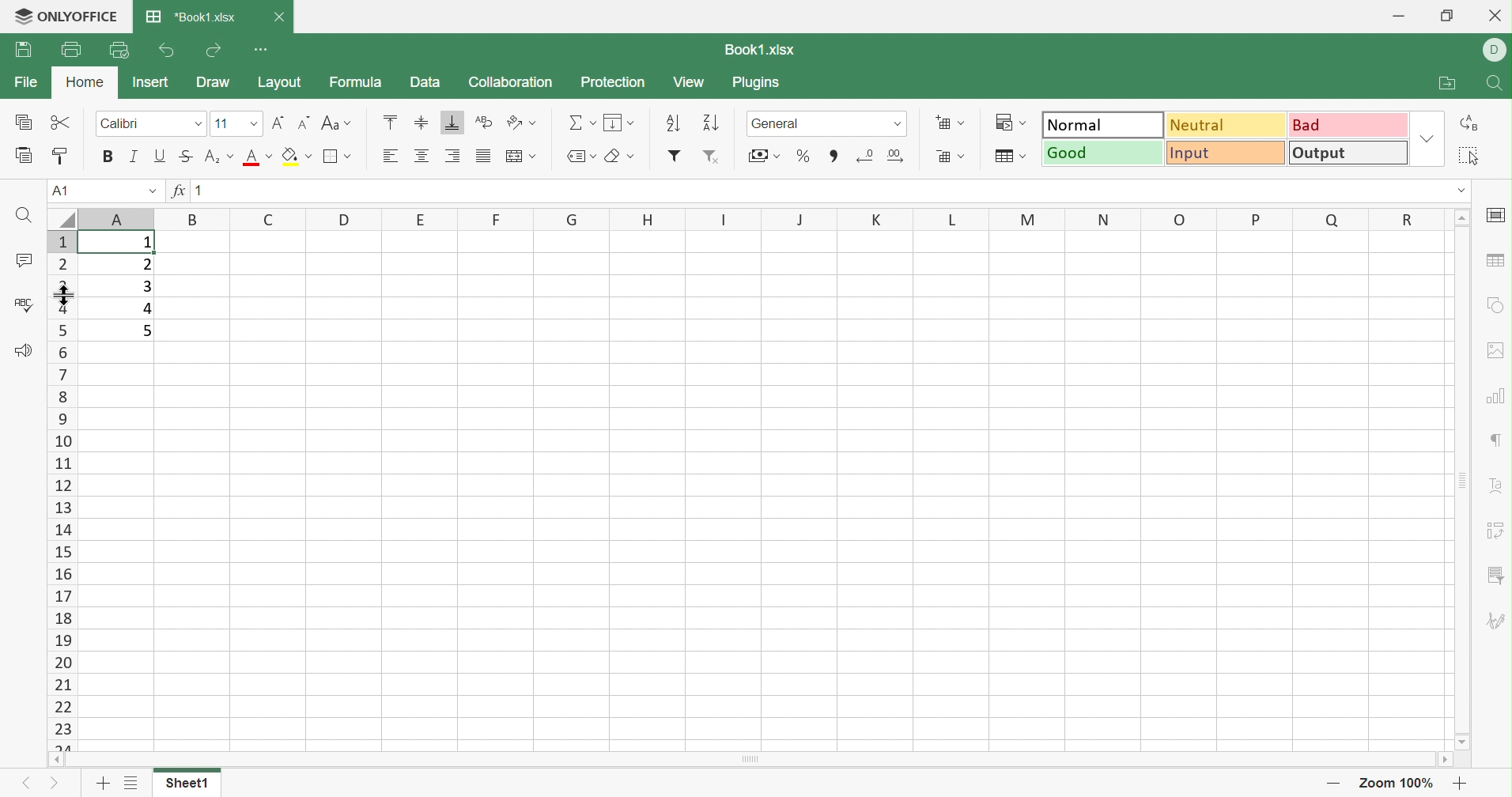 This screenshot has width=1512, height=797. What do you see at coordinates (388, 122) in the screenshot?
I see `Align Top` at bounding box center [388, 122].